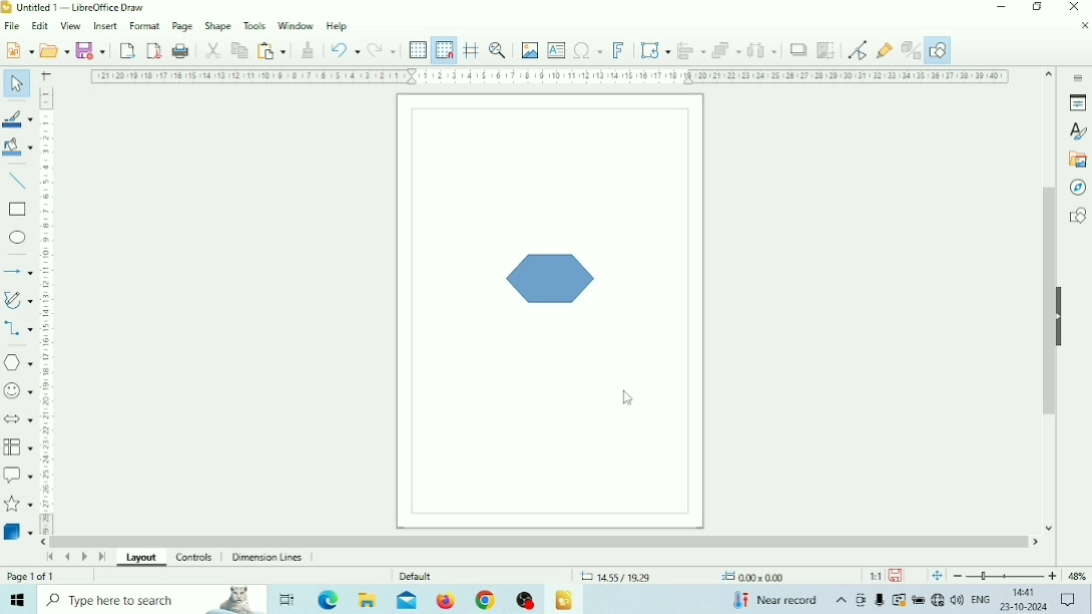  Describe the element at coordinates (551, 77) in the screenshot. I see `Horizontal scale` at that location.